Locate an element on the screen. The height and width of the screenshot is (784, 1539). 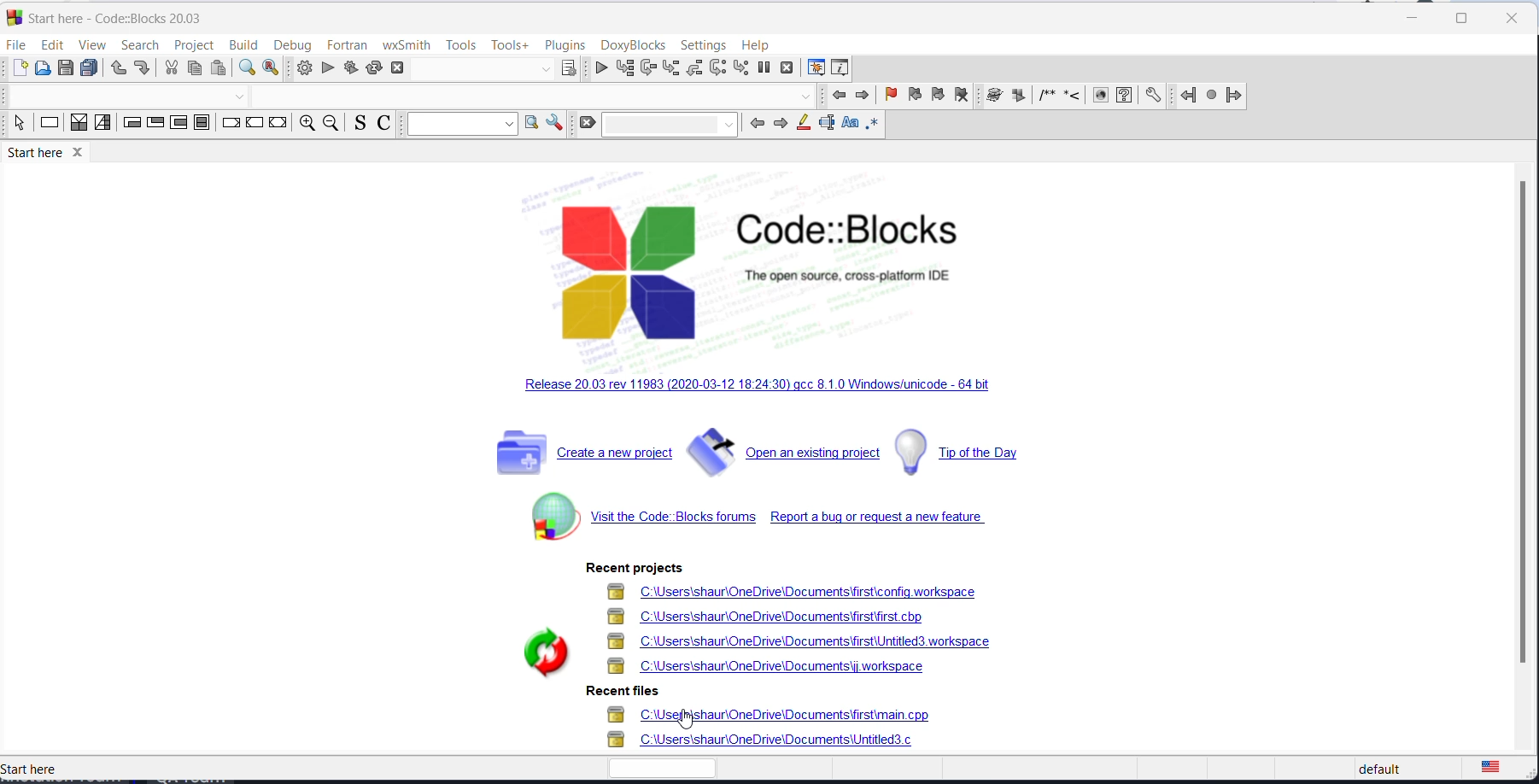
FIND is located at coordinates (244, 69).